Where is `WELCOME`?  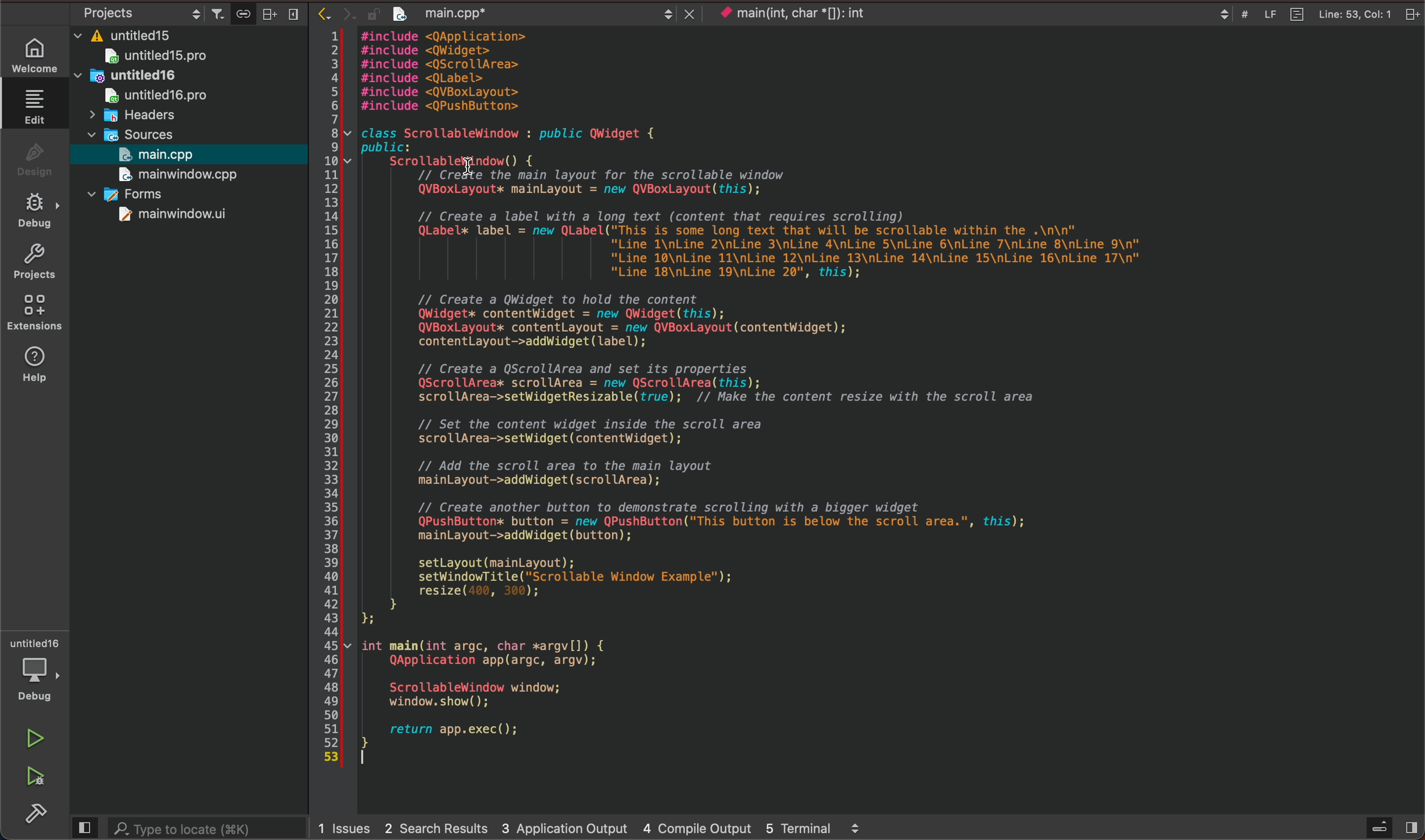
WELCOME is located at coordinates (35, 53).